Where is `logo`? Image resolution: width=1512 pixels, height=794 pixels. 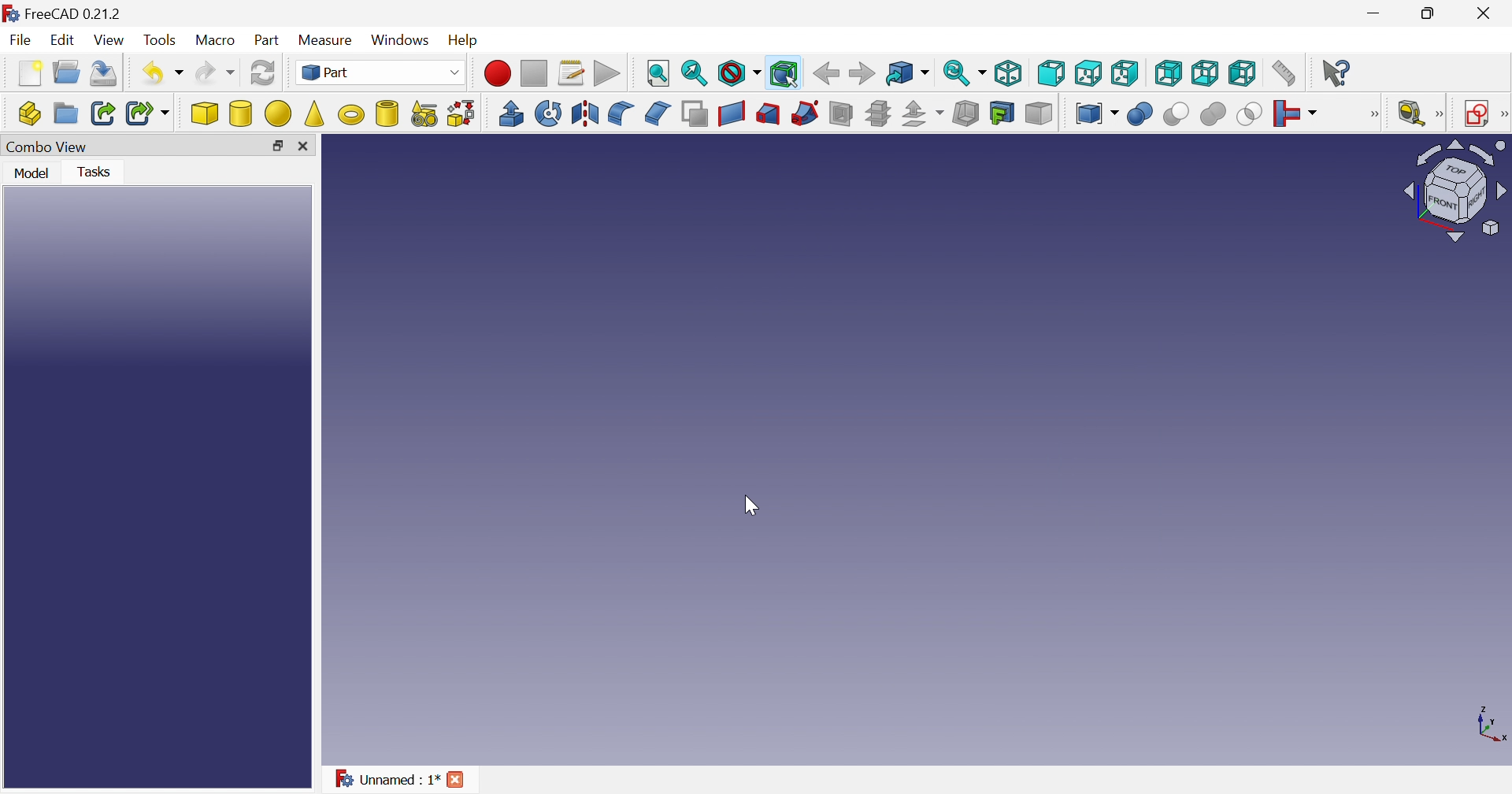
logo is located at coordinates (11, 13).